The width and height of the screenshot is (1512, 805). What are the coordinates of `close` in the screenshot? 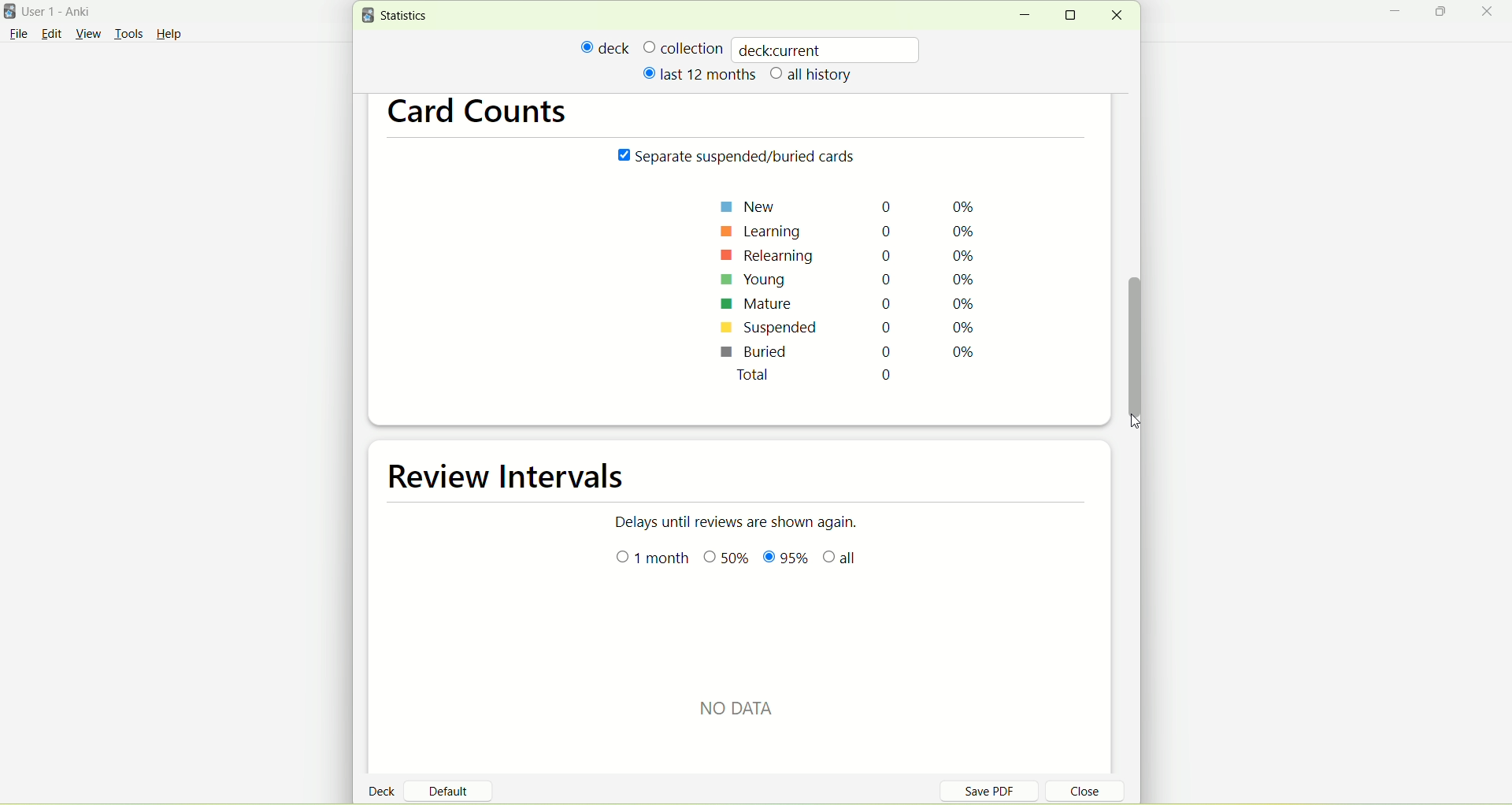 It's located at (1076, 793).